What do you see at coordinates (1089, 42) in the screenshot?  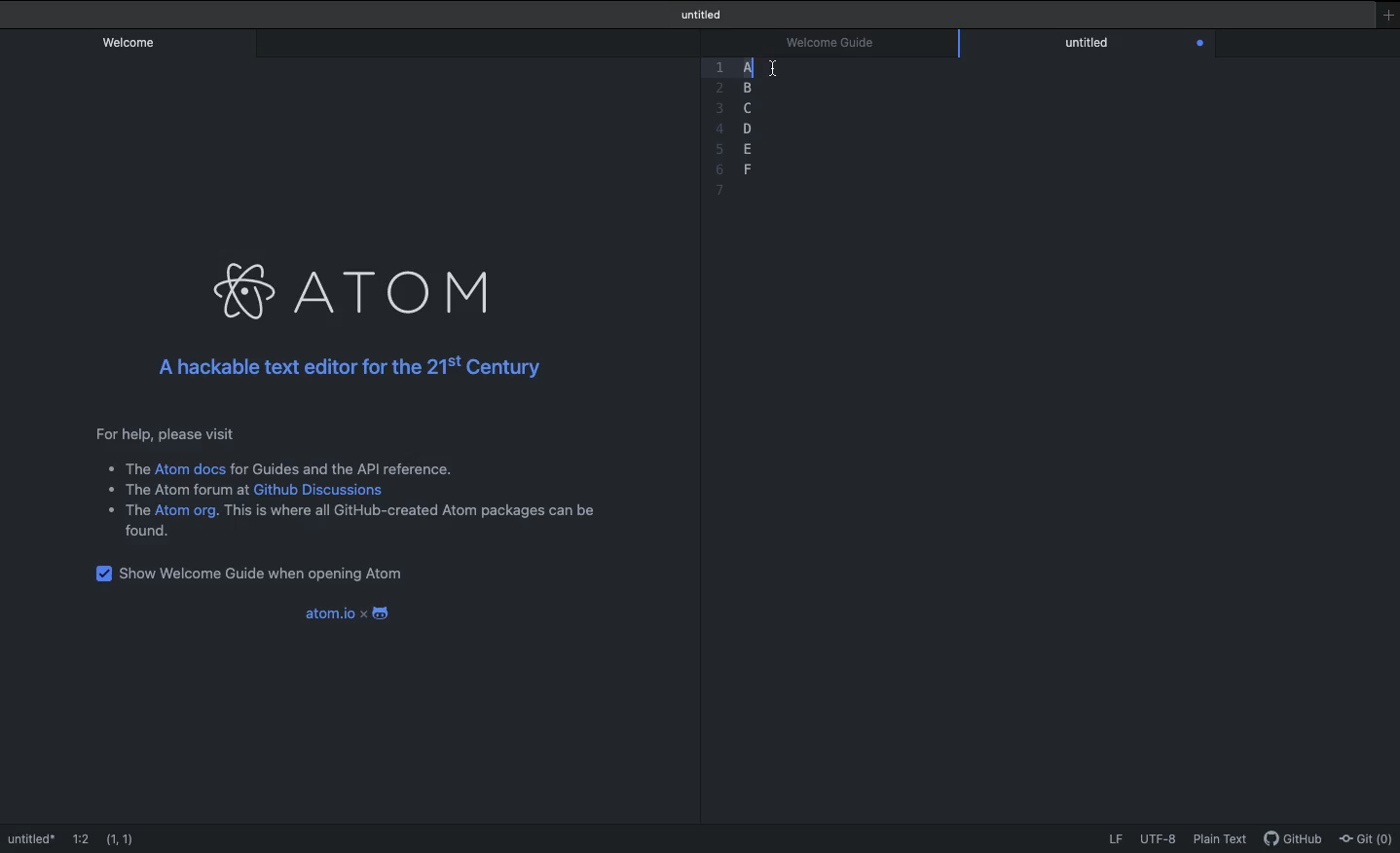 I see `Editor` at bounding box center [1089, 42].